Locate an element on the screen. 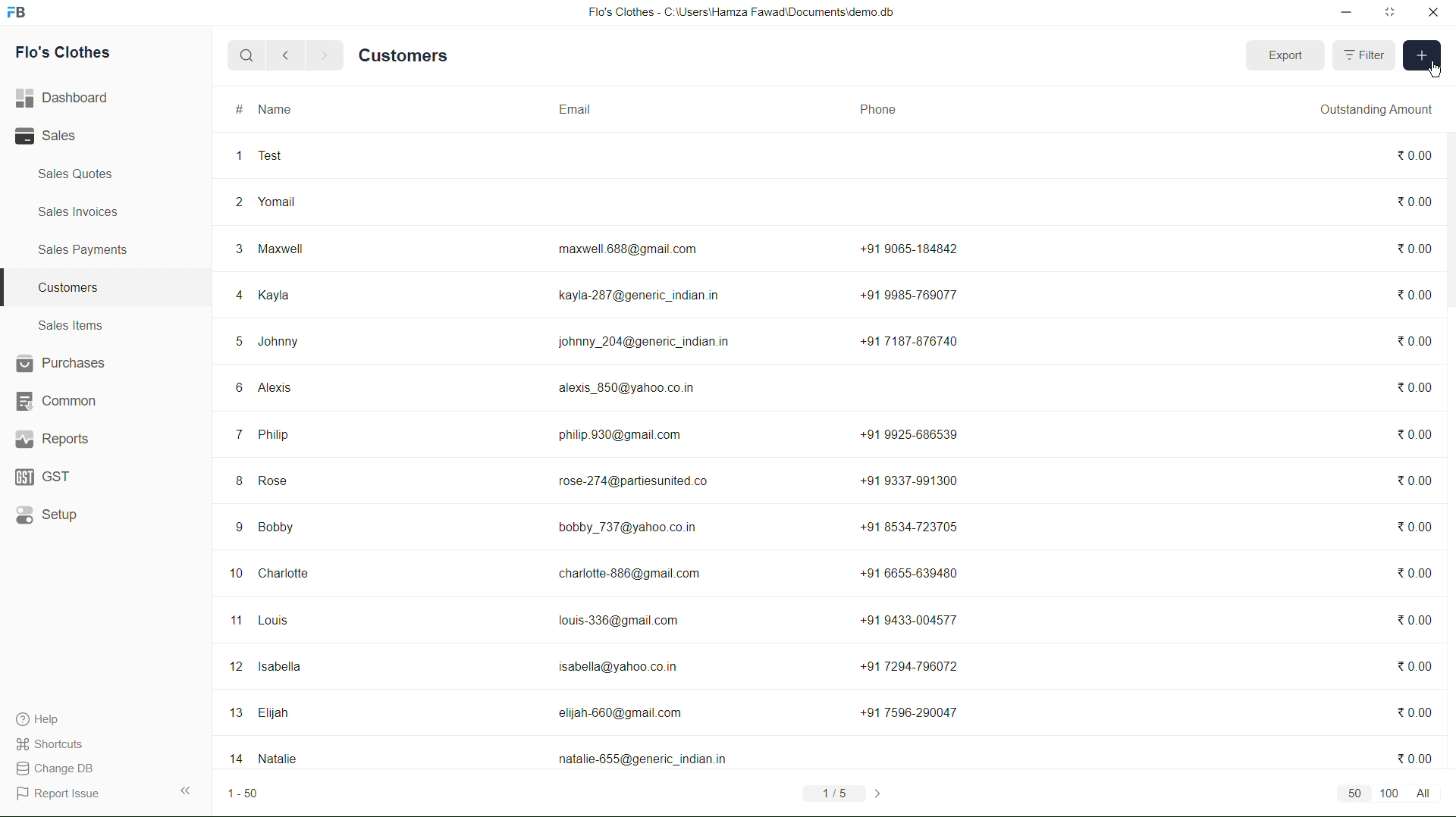  next is located at coordinates (327, 57).